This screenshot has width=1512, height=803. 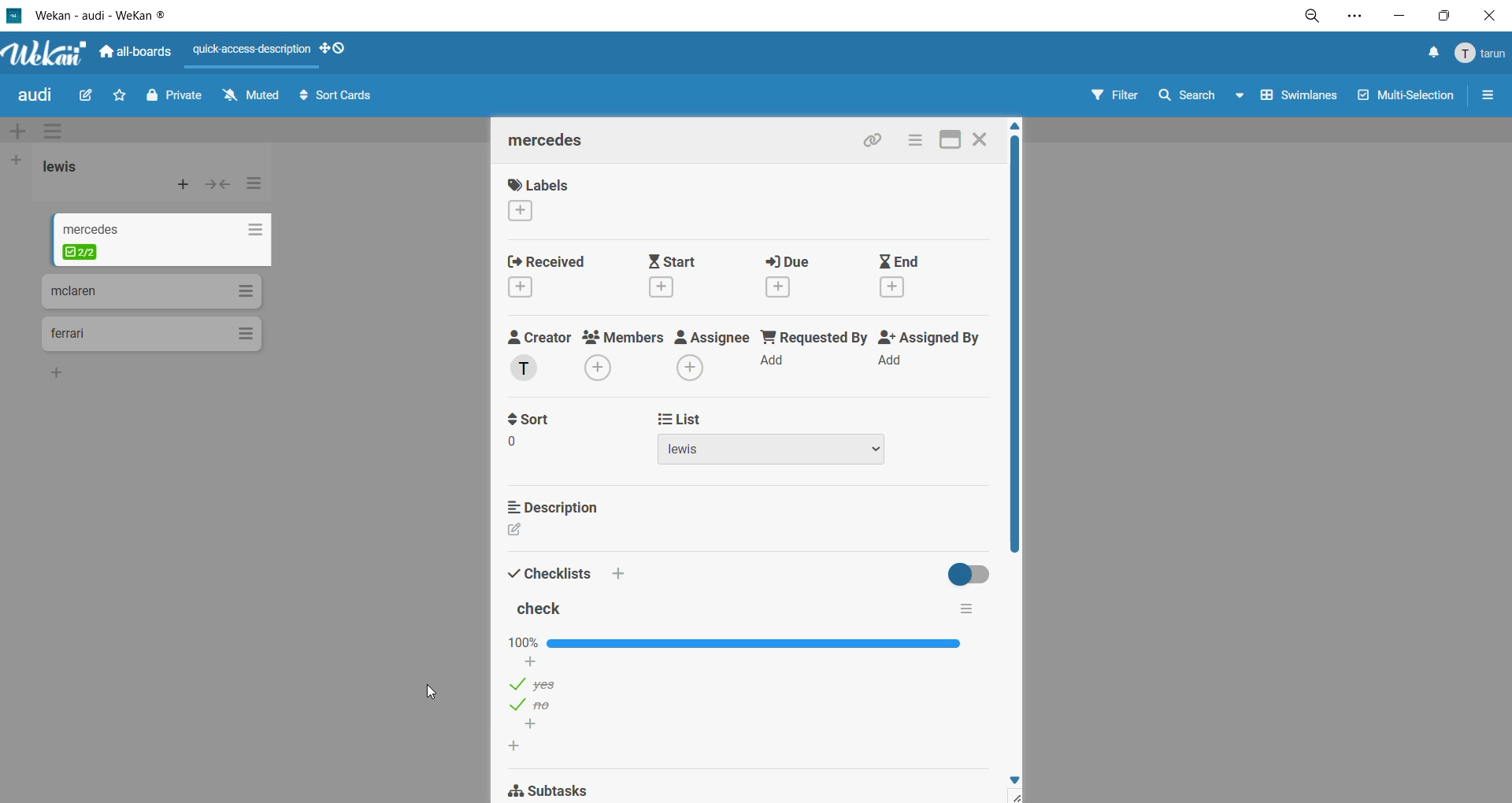 I want to click on settings, so click(x=1354, y=18).